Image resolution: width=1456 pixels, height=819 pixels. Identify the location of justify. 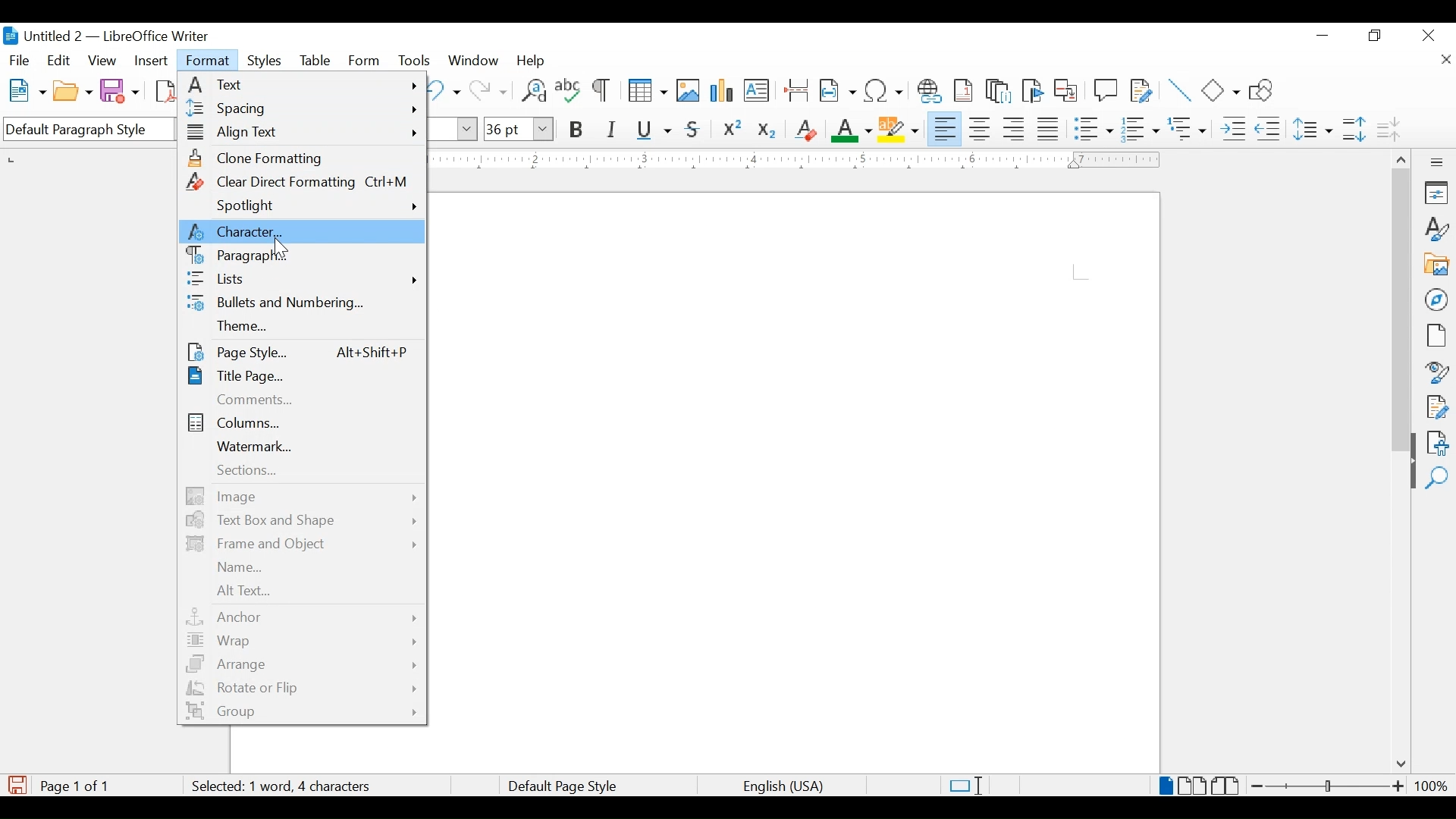
(1049, 129).